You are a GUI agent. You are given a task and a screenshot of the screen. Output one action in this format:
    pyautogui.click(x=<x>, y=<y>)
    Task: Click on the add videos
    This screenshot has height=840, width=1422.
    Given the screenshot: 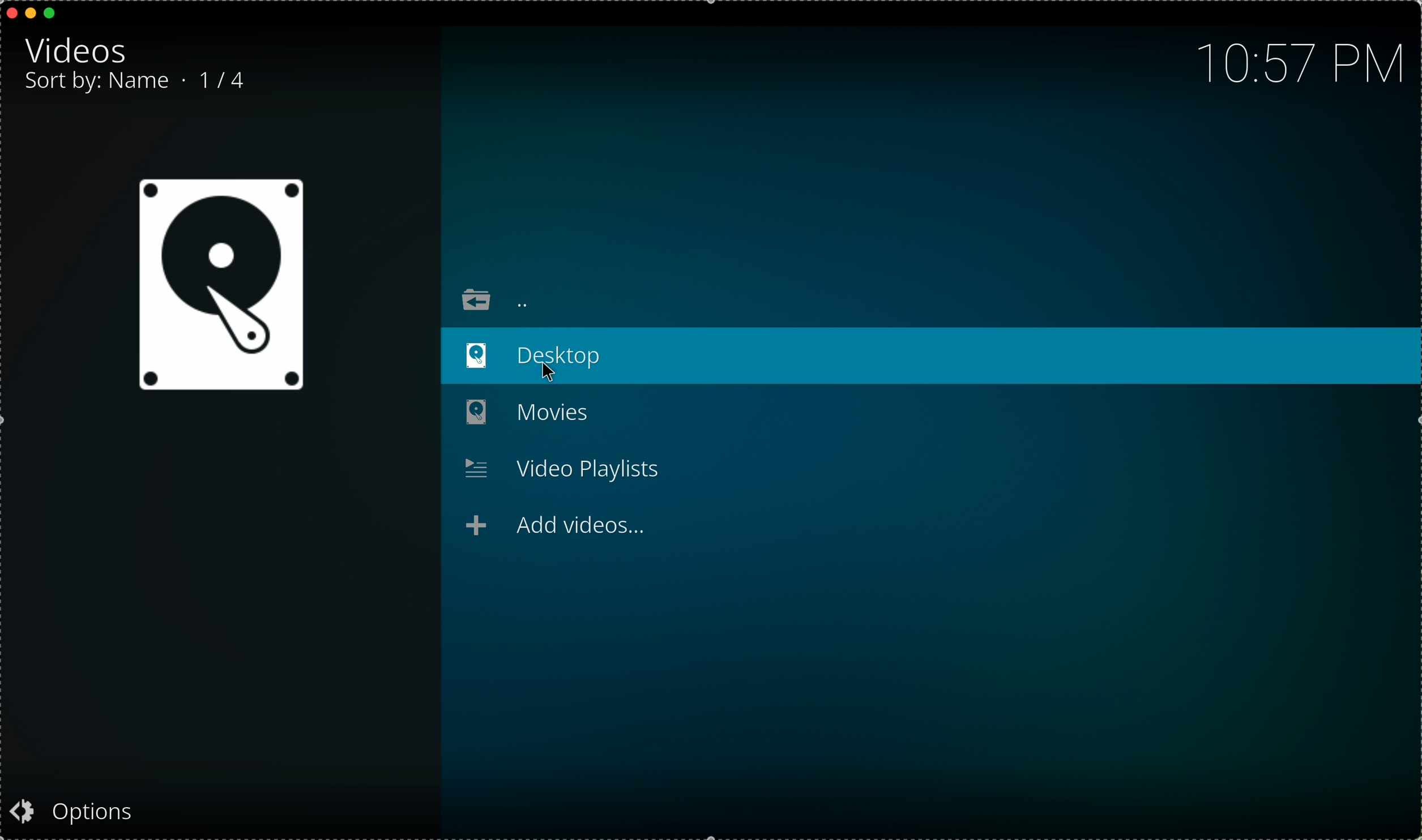 What is the action you would take?
    pyautogui.click(x=558, y=526)
    